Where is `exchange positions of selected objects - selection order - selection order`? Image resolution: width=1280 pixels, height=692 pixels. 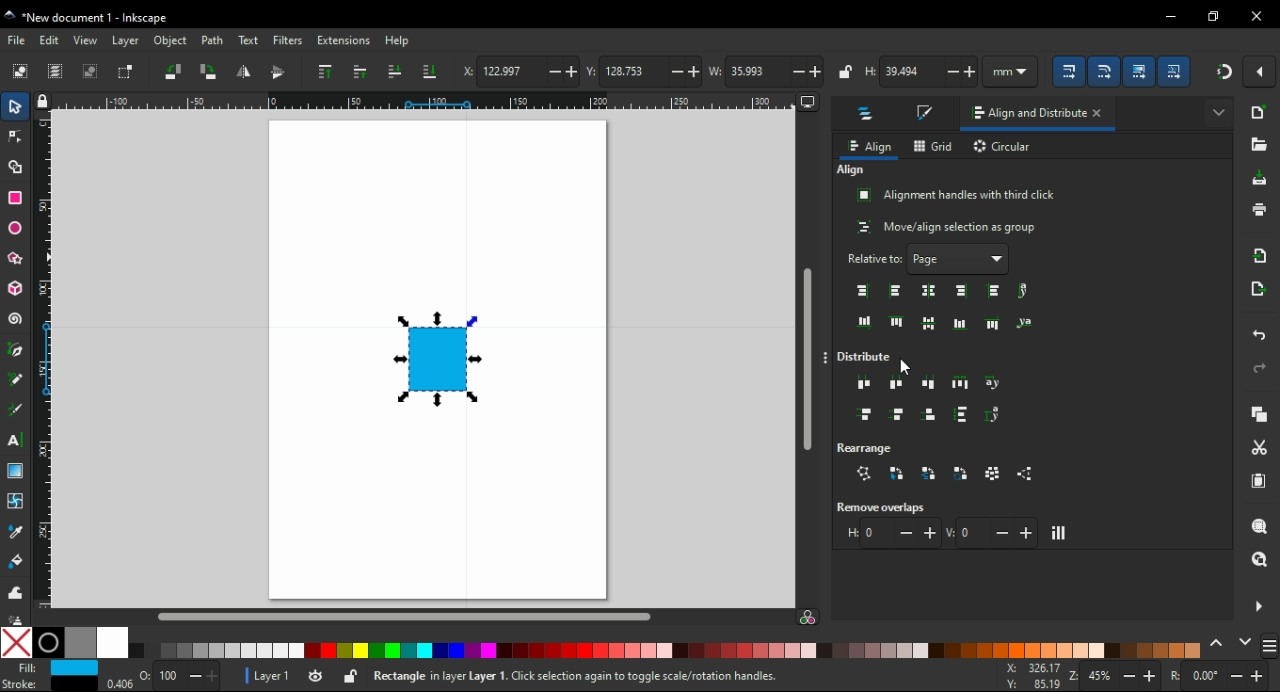
exchange positions of selected objects - selection order - selection order is located at coordinates (897, 473).